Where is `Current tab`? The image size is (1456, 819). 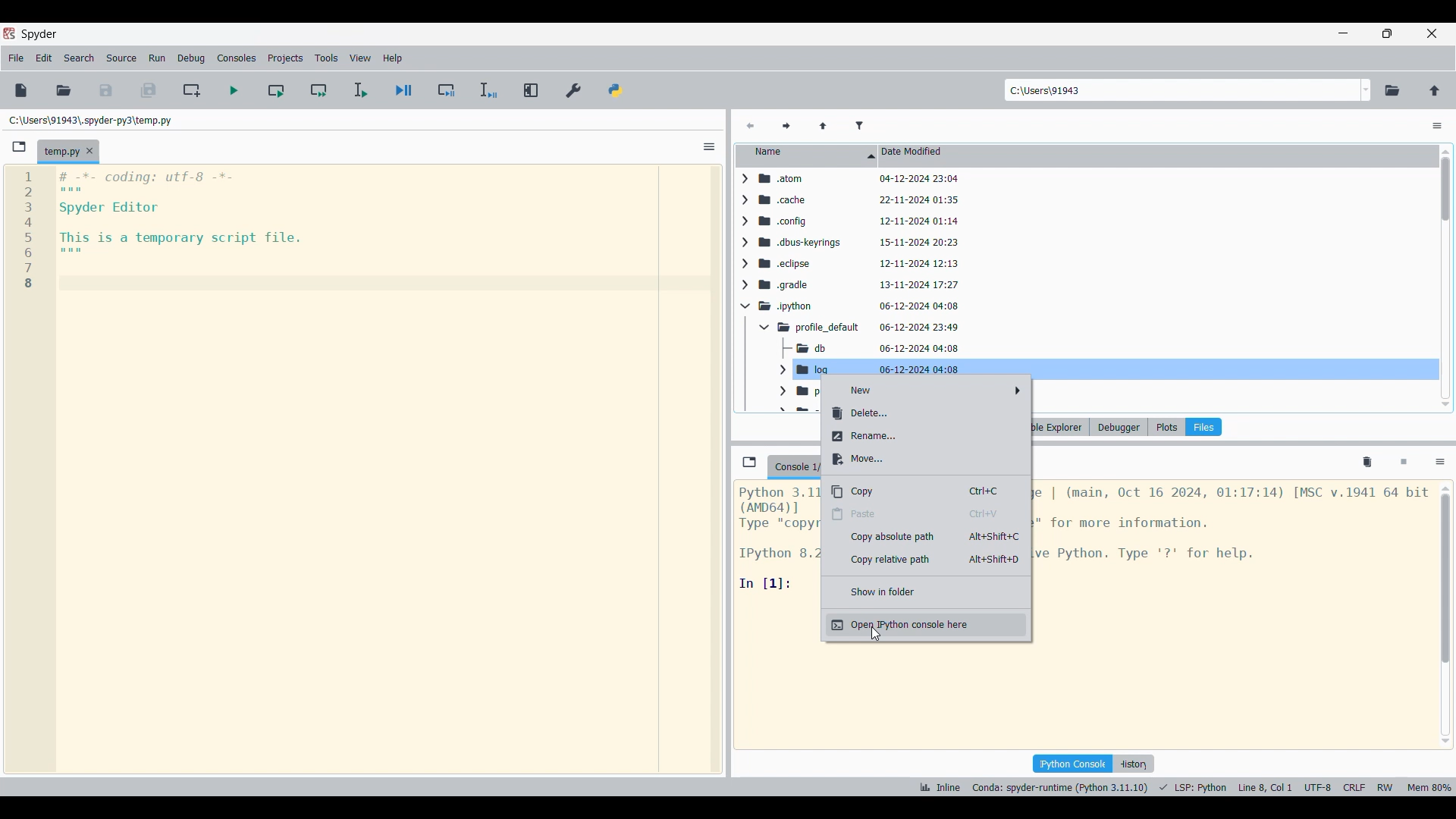
Current tab is located at coordinates (792, 467).